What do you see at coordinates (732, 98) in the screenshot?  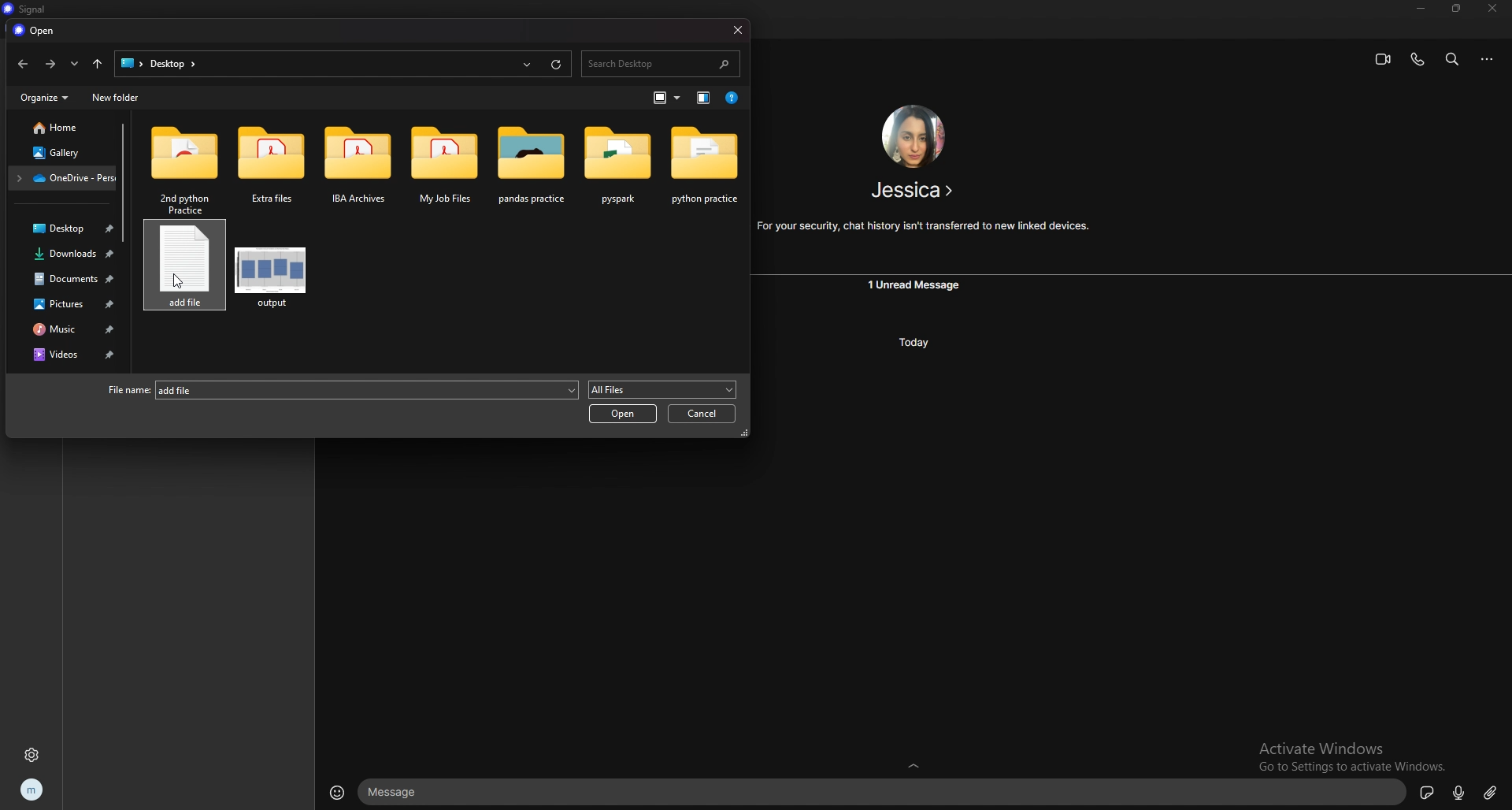 I see `help` at bounding box center [732, 98].